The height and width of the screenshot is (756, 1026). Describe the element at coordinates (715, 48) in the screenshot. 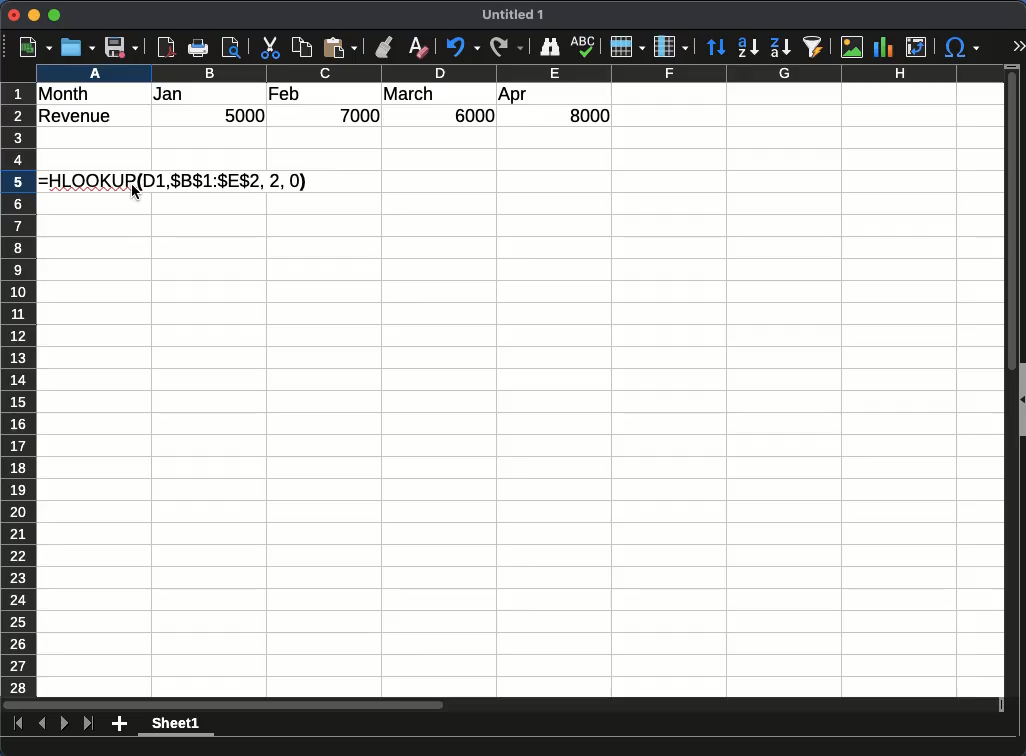

I see `sort` at that location.